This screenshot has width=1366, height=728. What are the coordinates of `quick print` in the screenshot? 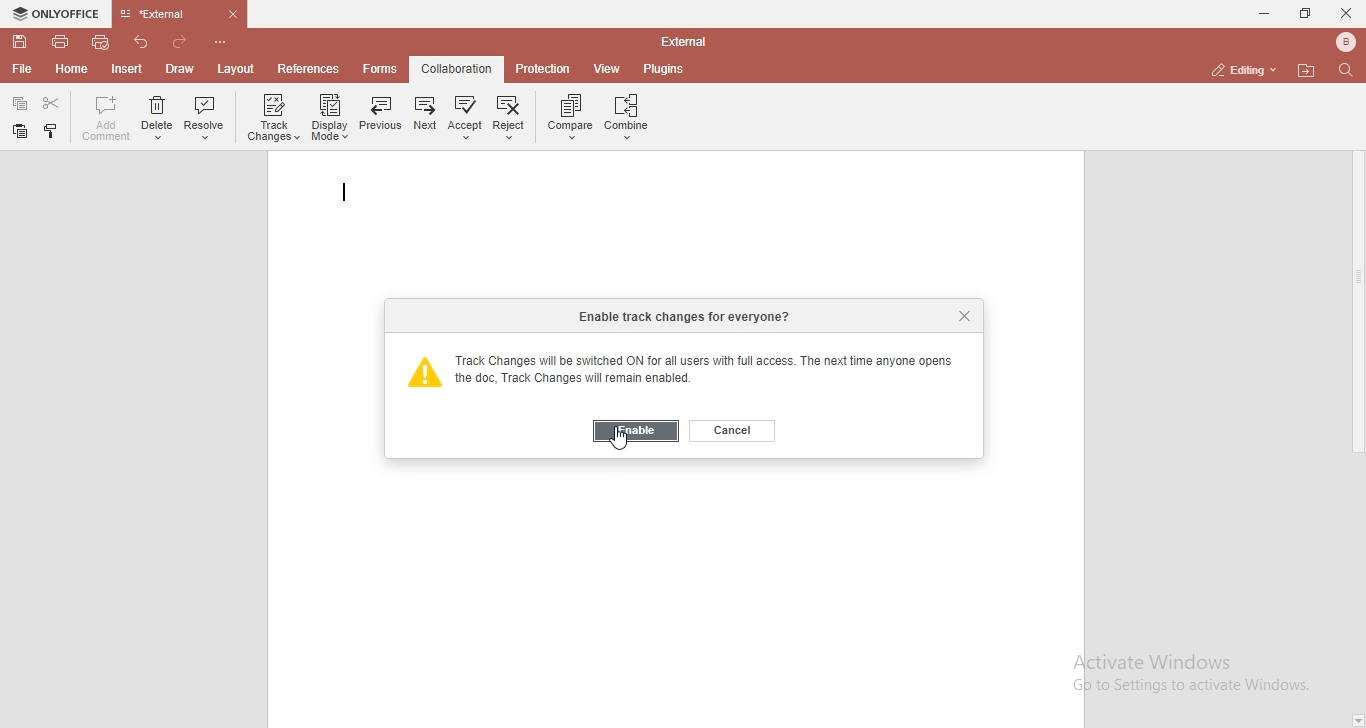 It's located at (102, 42).